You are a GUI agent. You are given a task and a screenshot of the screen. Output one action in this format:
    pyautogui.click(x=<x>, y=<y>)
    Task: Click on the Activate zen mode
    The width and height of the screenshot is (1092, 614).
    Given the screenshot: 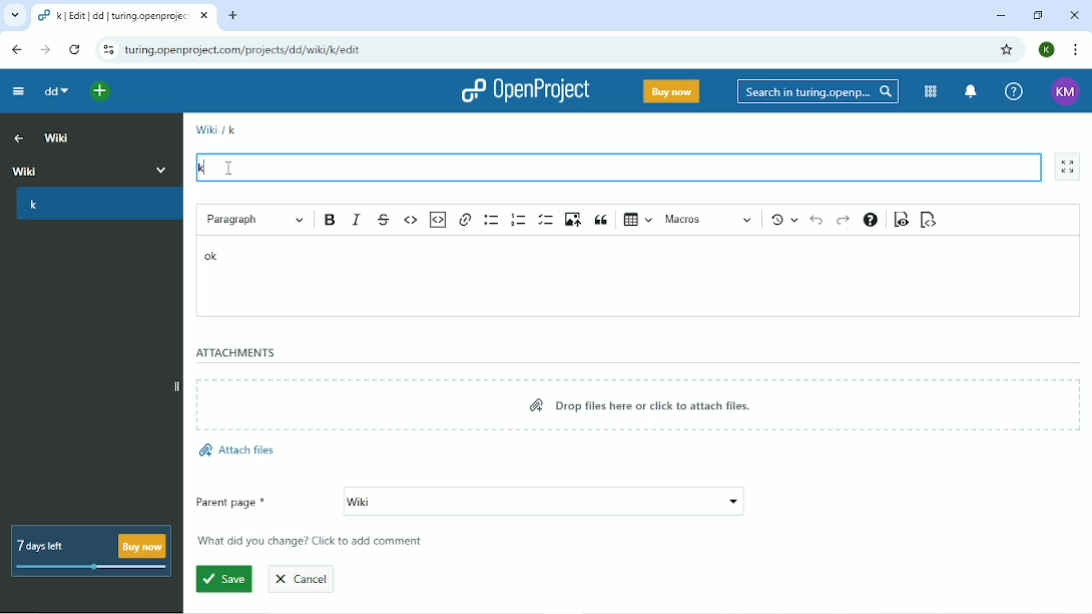 What is the action you would take?
    pyautogui.click(x=1067, y=167)
    